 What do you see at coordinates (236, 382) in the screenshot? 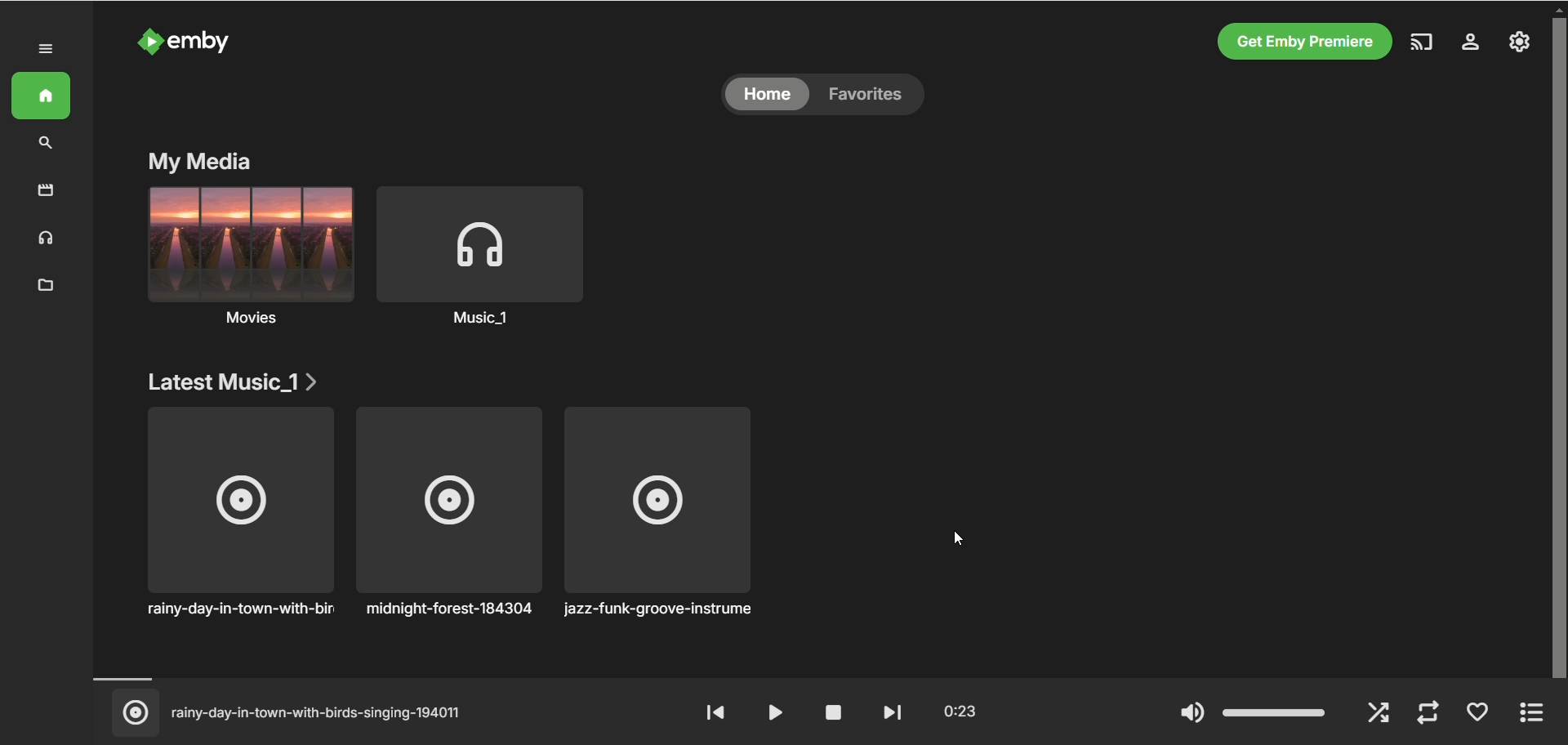
I see `latest music` at bounding box center [236, 382].